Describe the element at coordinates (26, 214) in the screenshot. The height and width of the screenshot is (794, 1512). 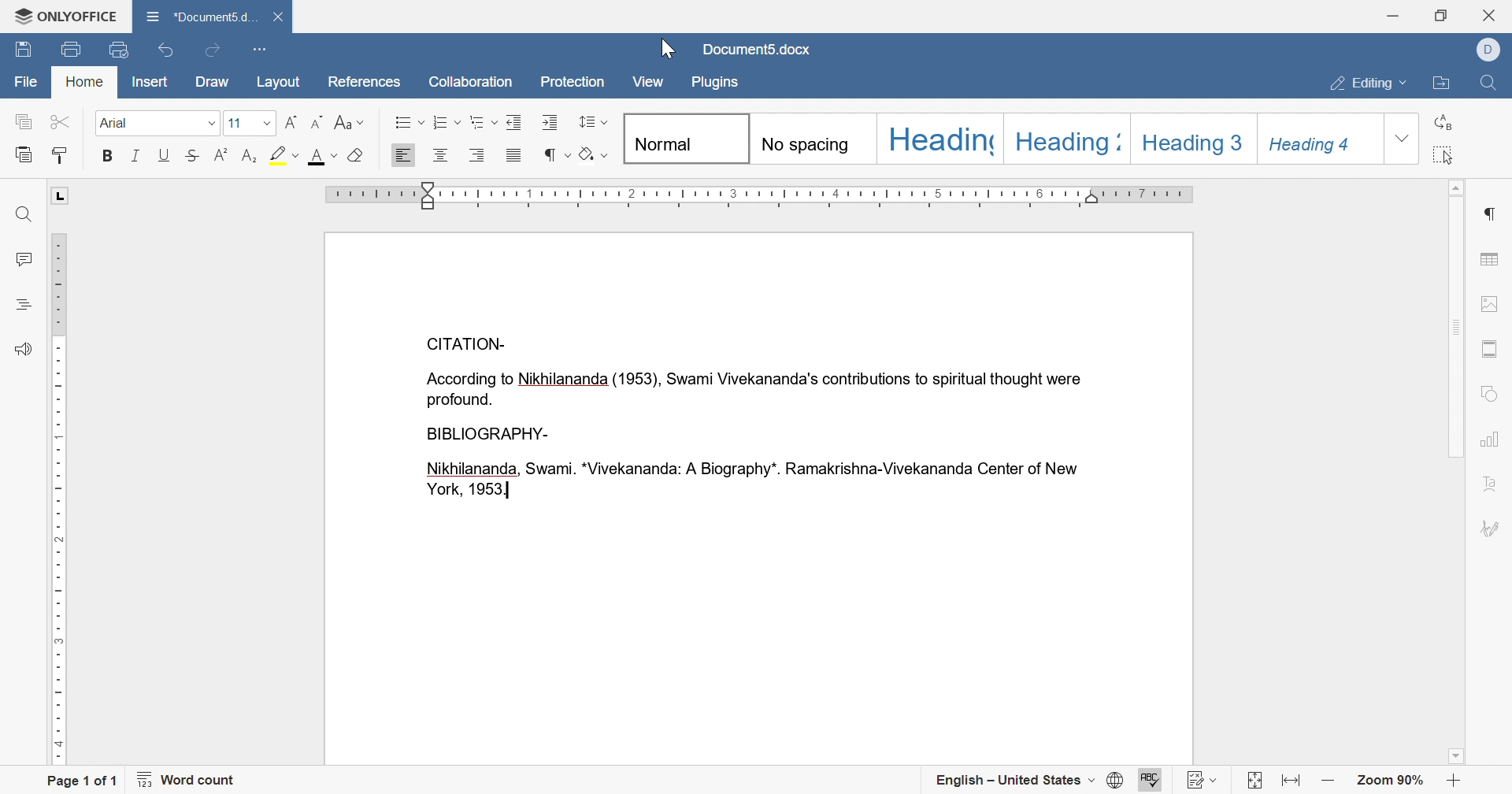
I see `find` at that location.